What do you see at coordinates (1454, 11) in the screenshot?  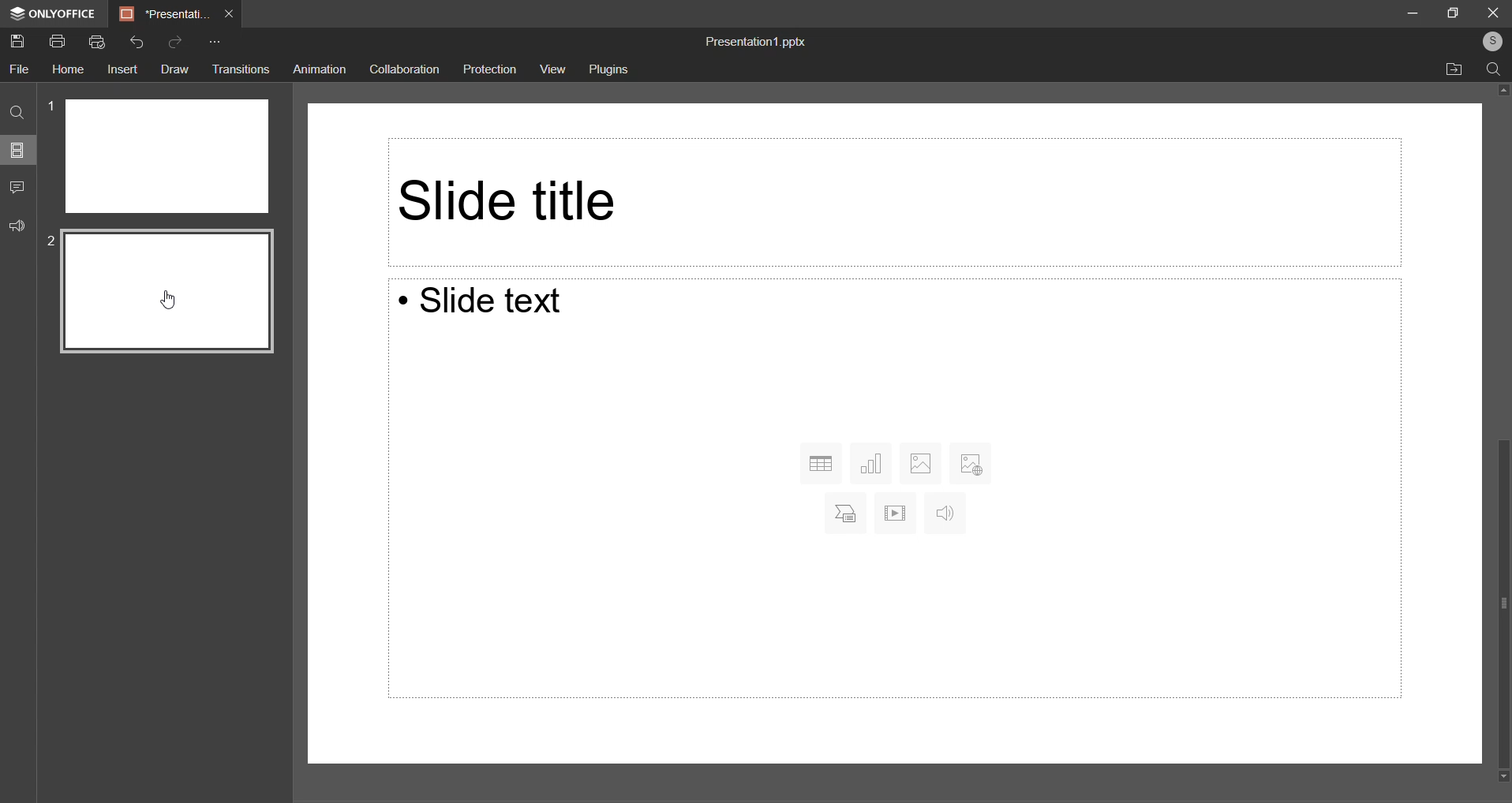 I see `Maximize` at bounding box center [1454, 11].